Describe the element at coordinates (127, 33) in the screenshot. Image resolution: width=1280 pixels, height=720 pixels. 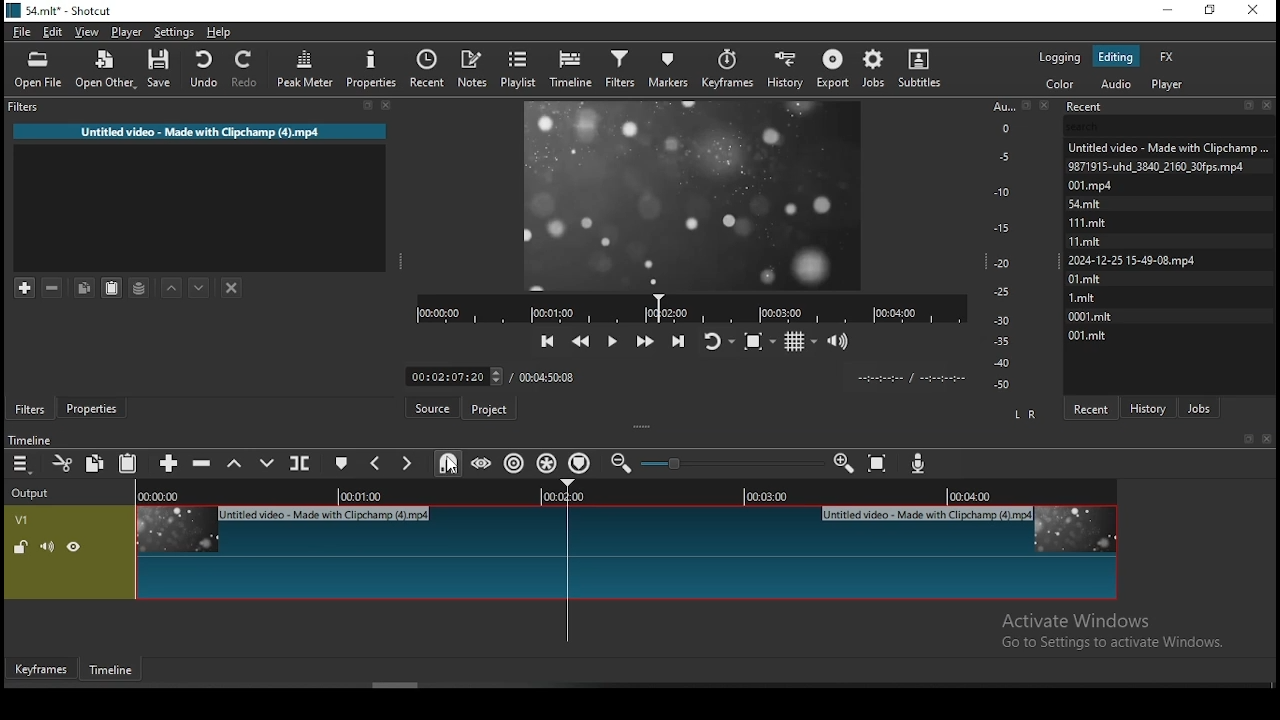
I see `player` at that location.